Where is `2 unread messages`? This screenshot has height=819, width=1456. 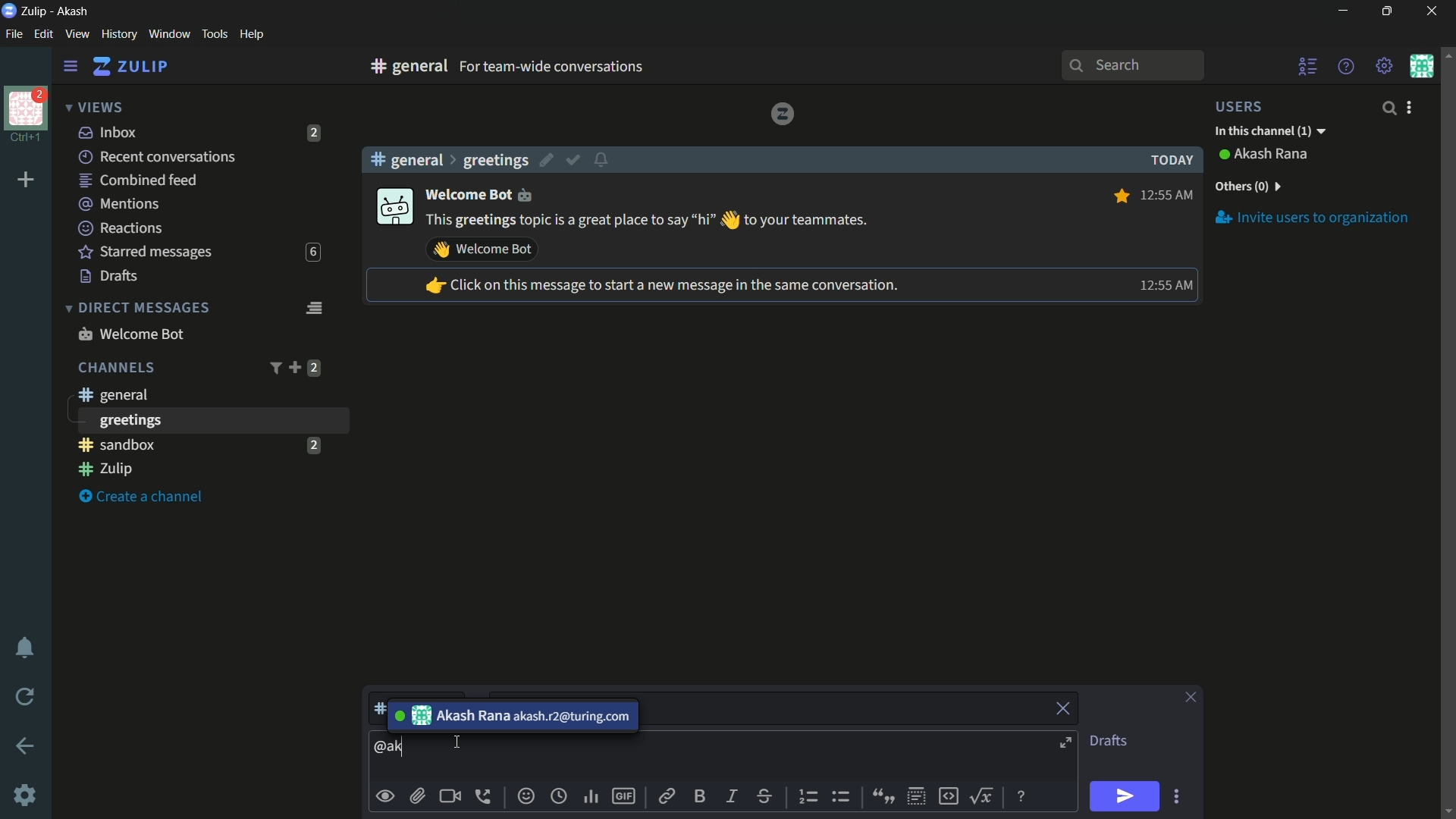 2 unread messages is located at coordinates (313, 444).